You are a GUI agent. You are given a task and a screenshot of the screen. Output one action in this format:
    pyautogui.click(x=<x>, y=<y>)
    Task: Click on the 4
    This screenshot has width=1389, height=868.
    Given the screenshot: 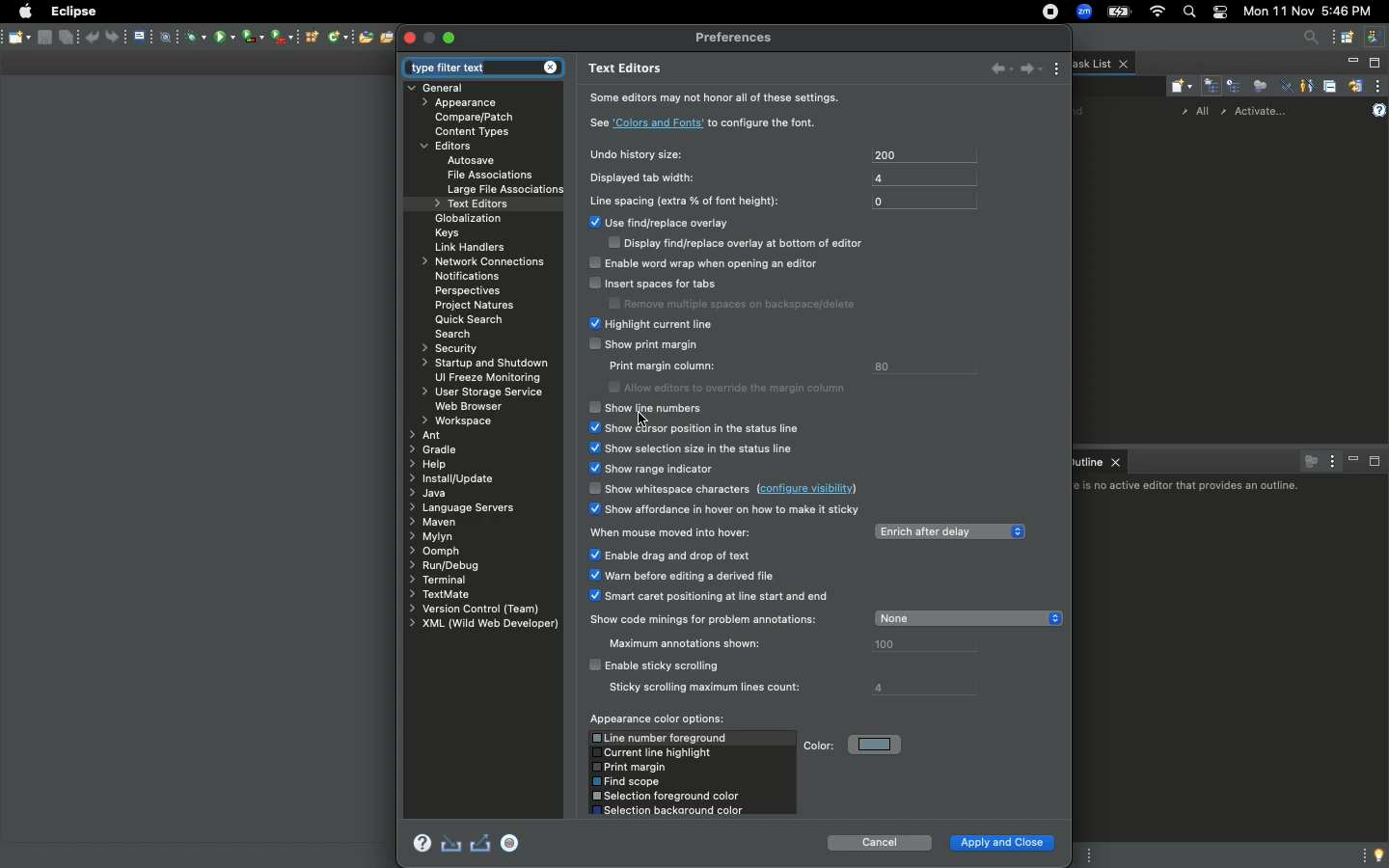 What is the action you would take?
    pyautogui.click(x=923, y=685)
    